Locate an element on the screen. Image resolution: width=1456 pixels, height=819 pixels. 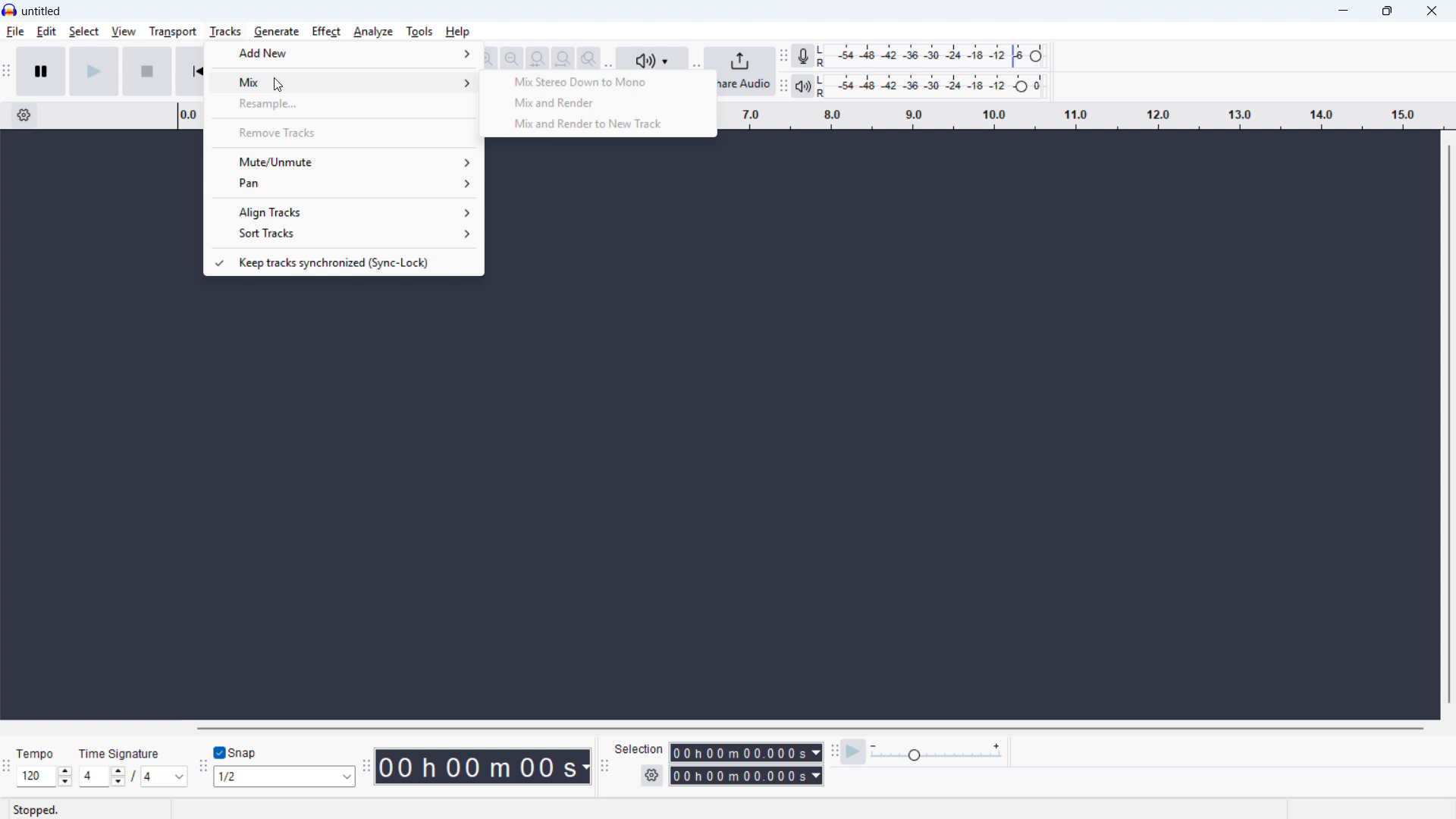
view  is located at coordinates (124, 32).